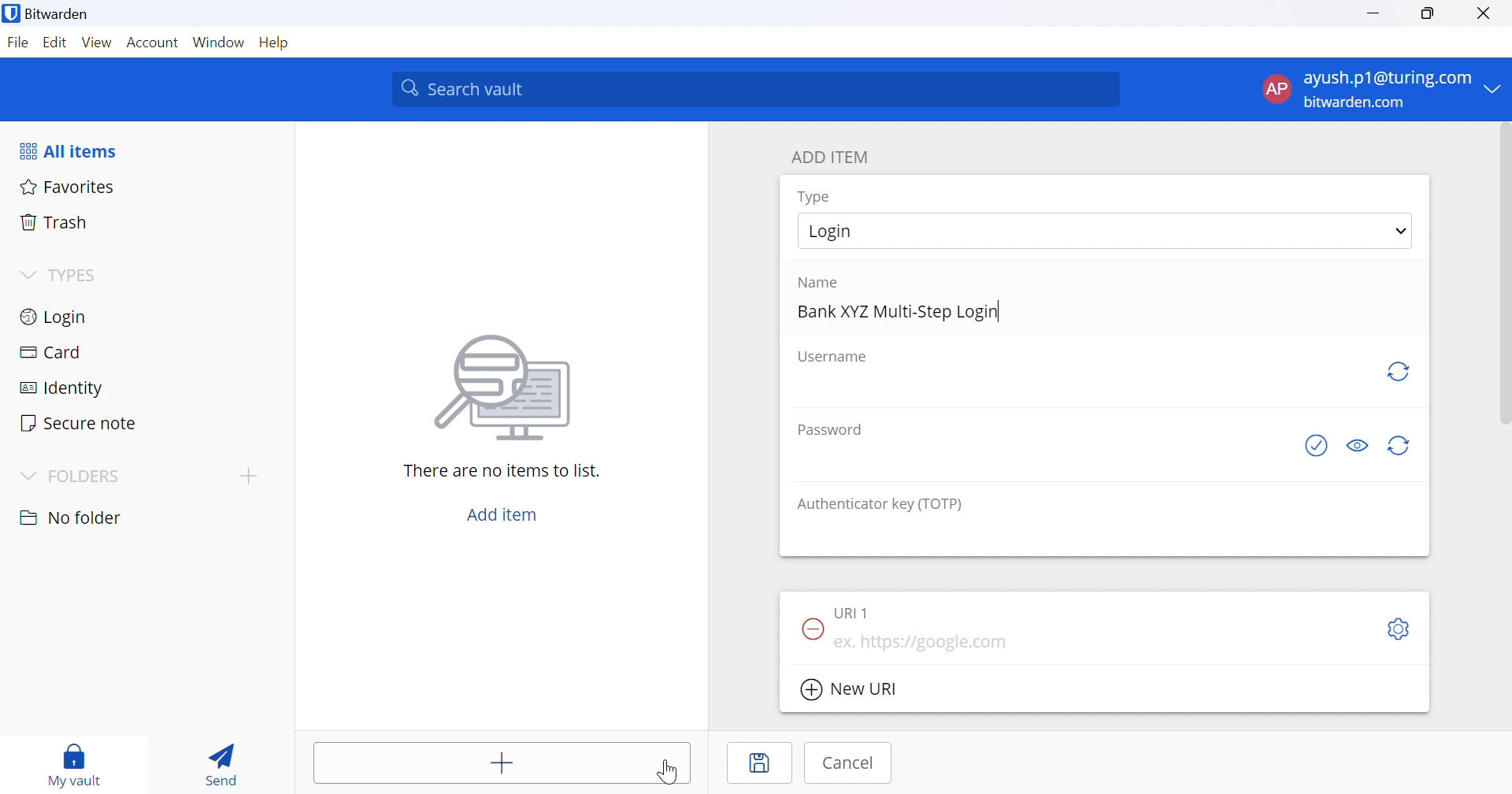 The width and height of the screenshot is (1512, 794). I want to click on File, so click(17, 43).